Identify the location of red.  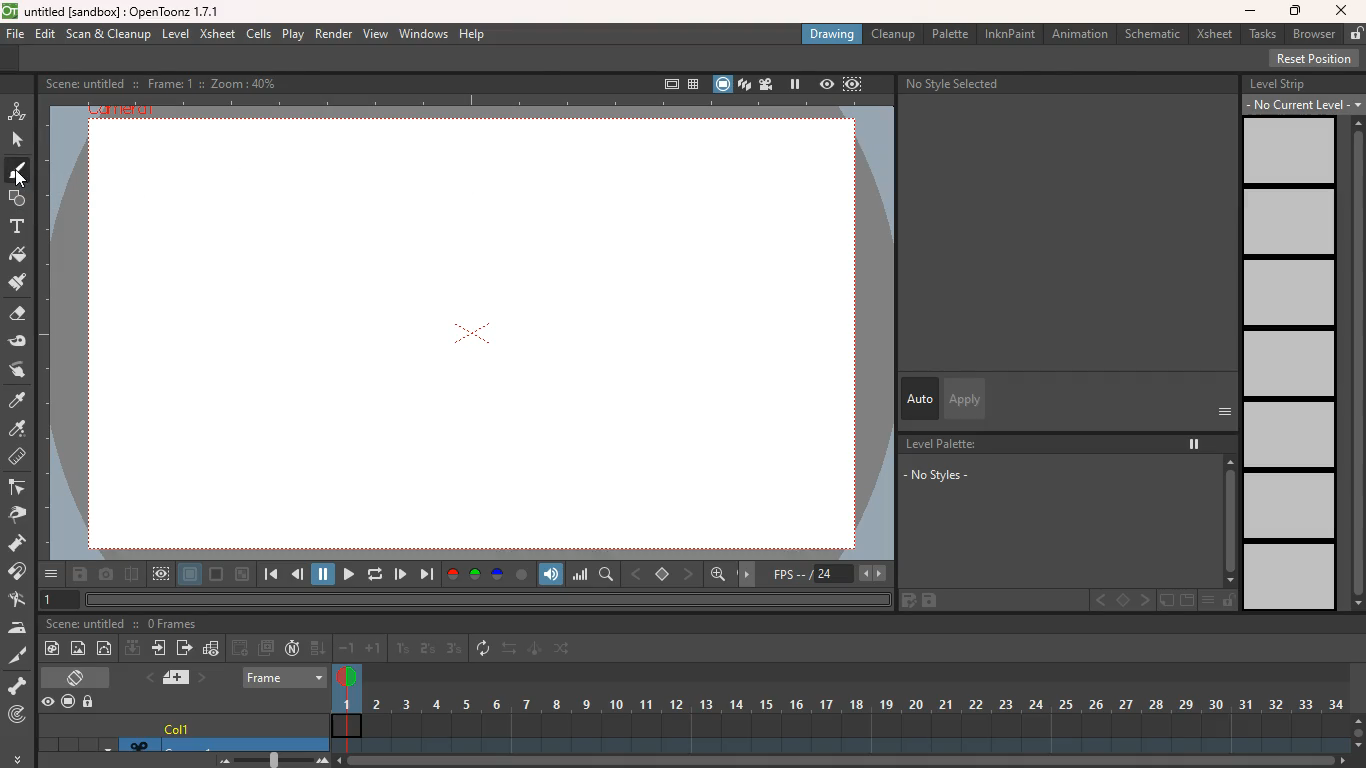
(452, 574).